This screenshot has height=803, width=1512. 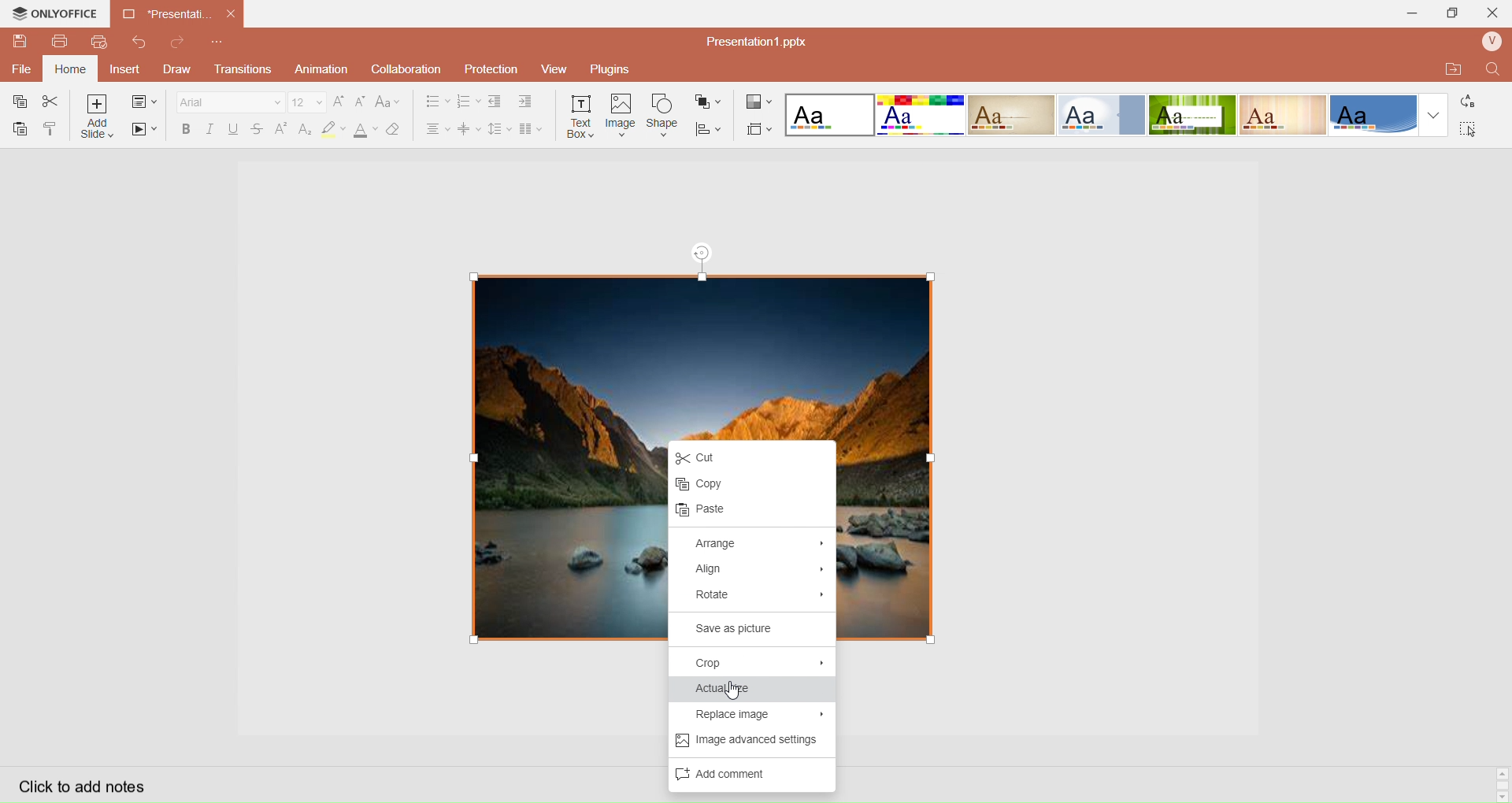 I want to click on Crop, so click(x=753, y=663).